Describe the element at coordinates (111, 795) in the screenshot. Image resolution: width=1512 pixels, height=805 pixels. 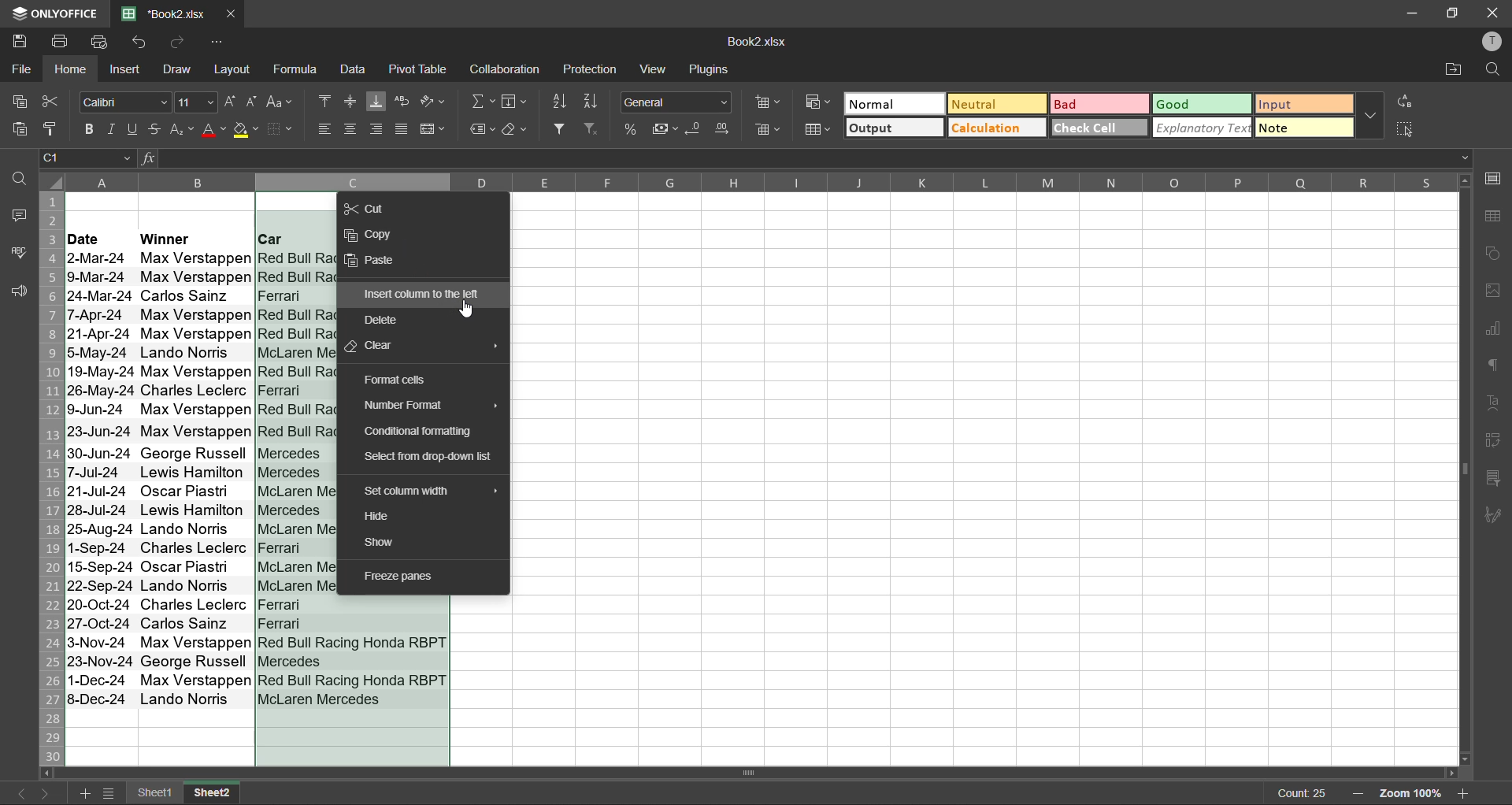
I see `sheet list` at that location.